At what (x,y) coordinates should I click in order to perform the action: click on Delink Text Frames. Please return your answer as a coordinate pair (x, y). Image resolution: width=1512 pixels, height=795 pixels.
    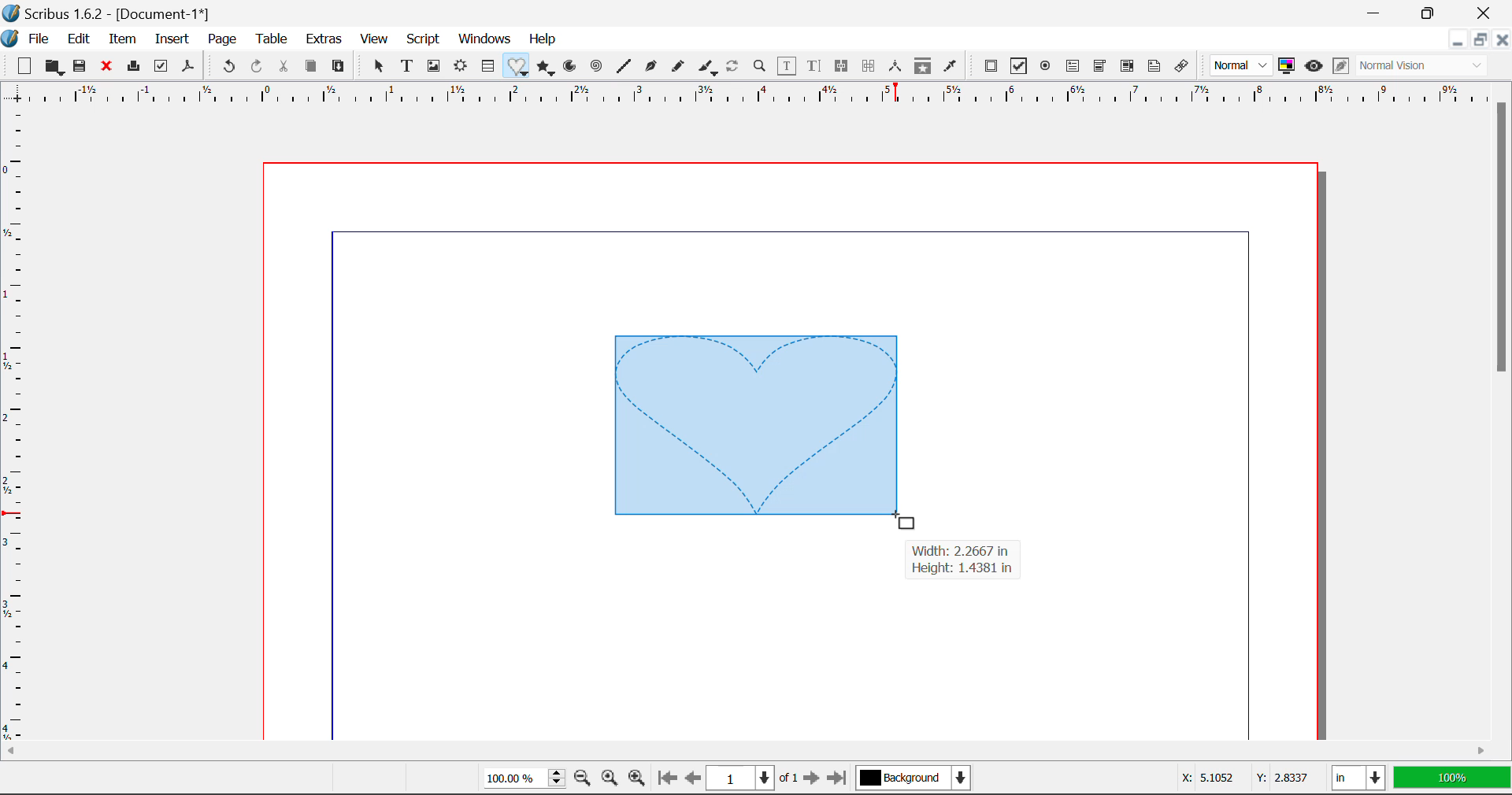
    Looking at the image, I should click on (870, 66).